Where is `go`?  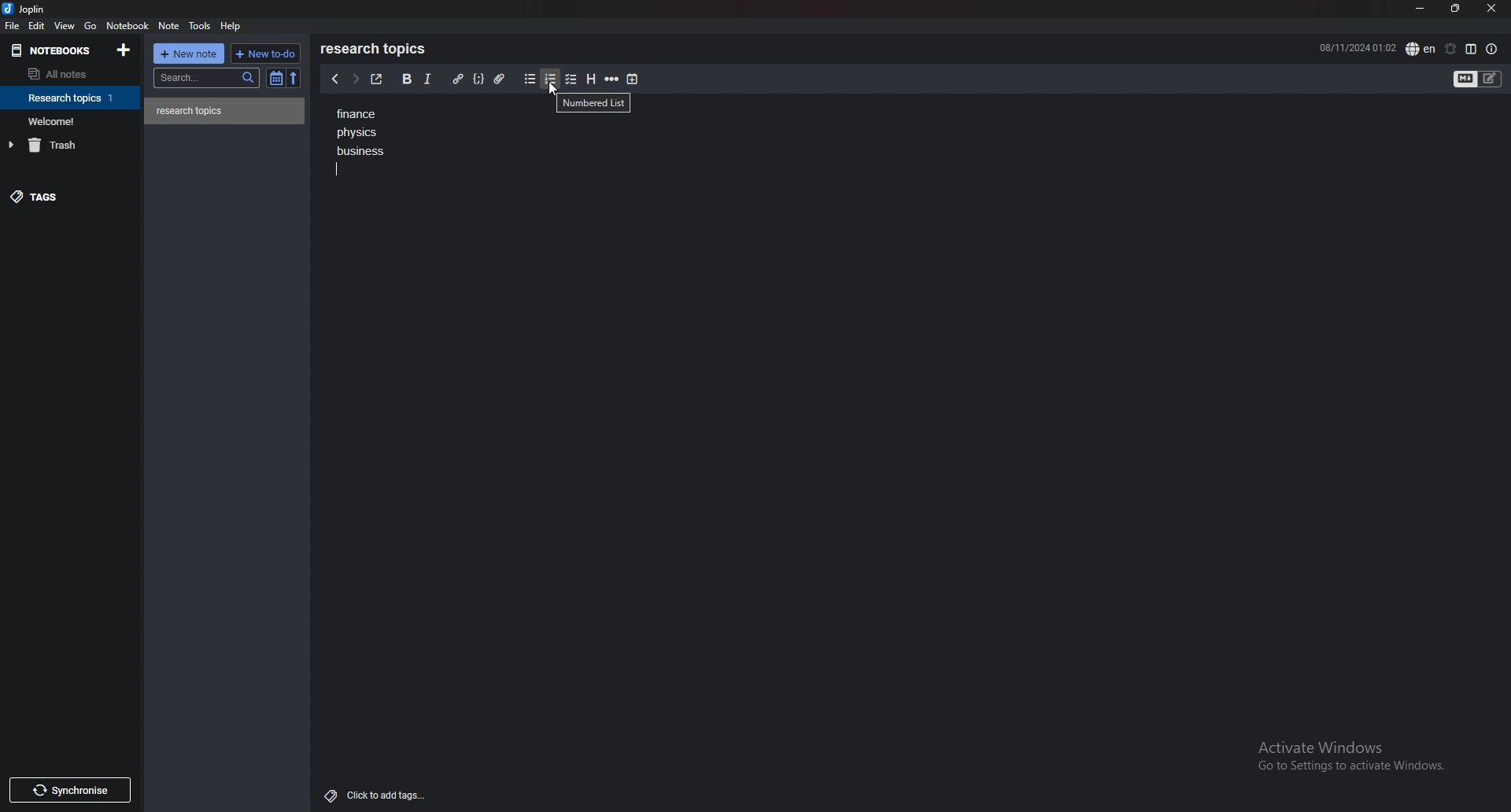 go is located at coordinates (90, 26).